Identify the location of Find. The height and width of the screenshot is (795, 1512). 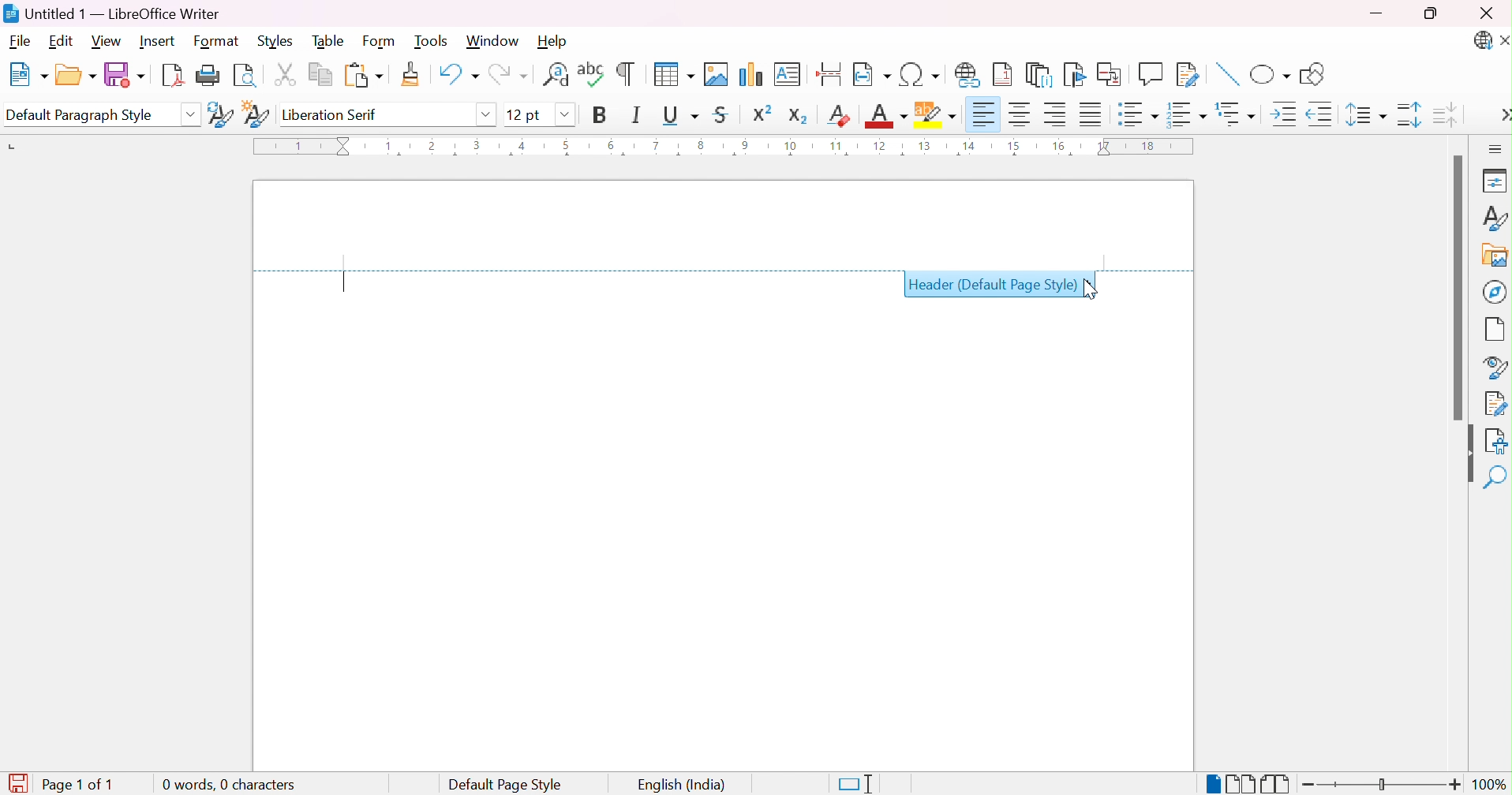
(1495, 476).